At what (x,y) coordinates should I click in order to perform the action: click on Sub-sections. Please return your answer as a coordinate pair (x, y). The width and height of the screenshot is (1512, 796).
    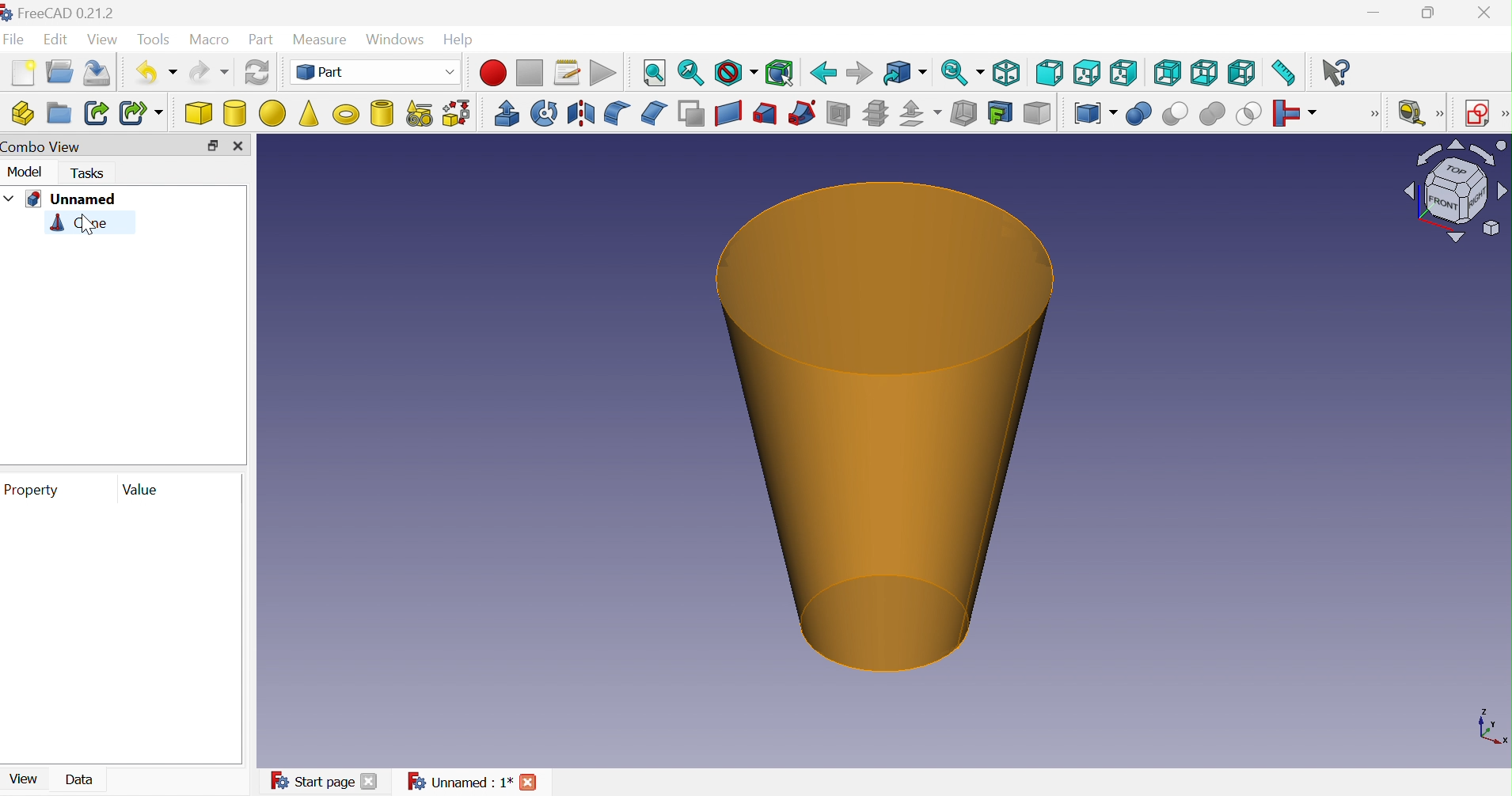
    Looking at the image, I should click on (875, 114).